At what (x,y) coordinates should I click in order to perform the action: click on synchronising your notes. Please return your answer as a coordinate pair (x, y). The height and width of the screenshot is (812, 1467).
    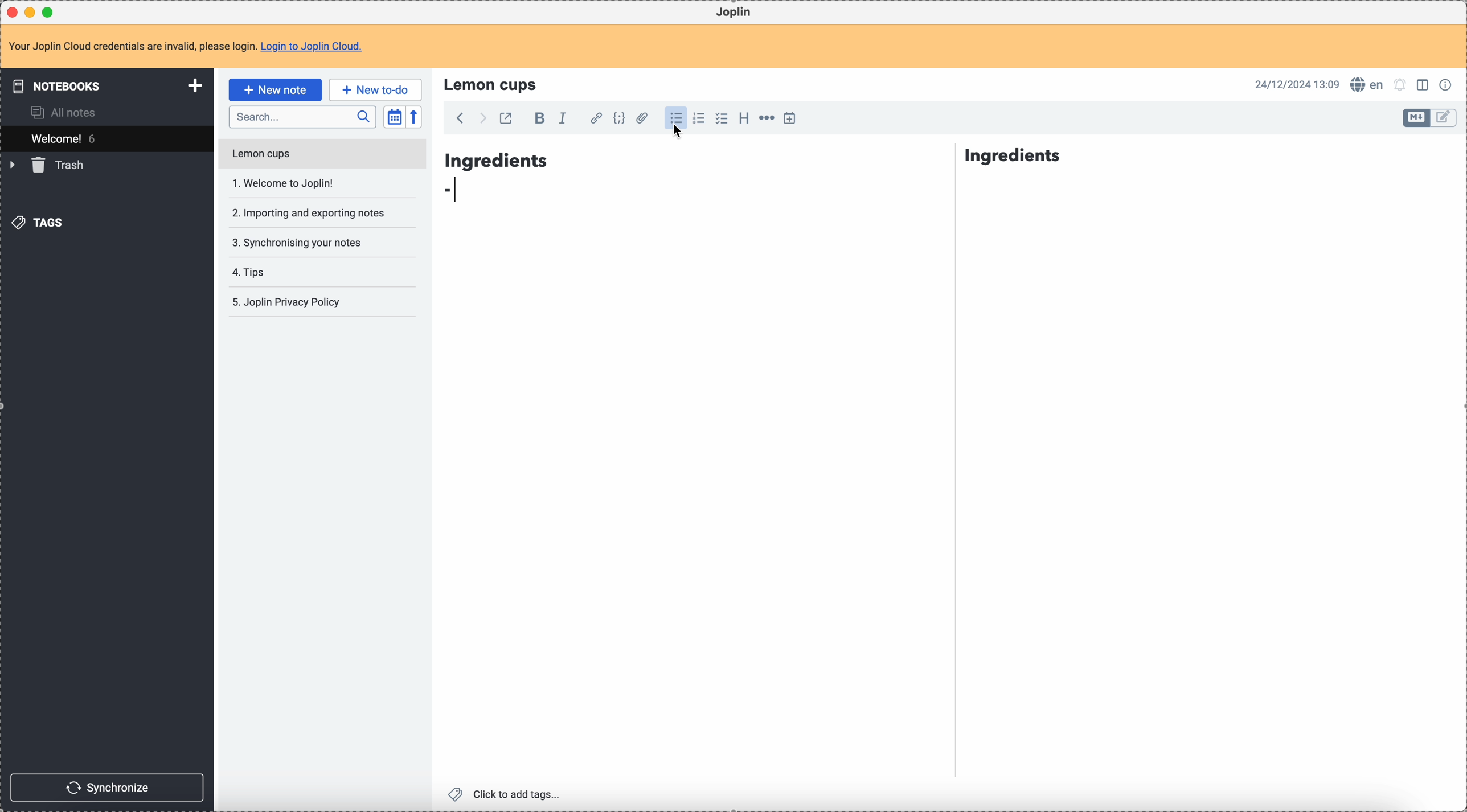
    Looking at the image, I should click on (296, 241).